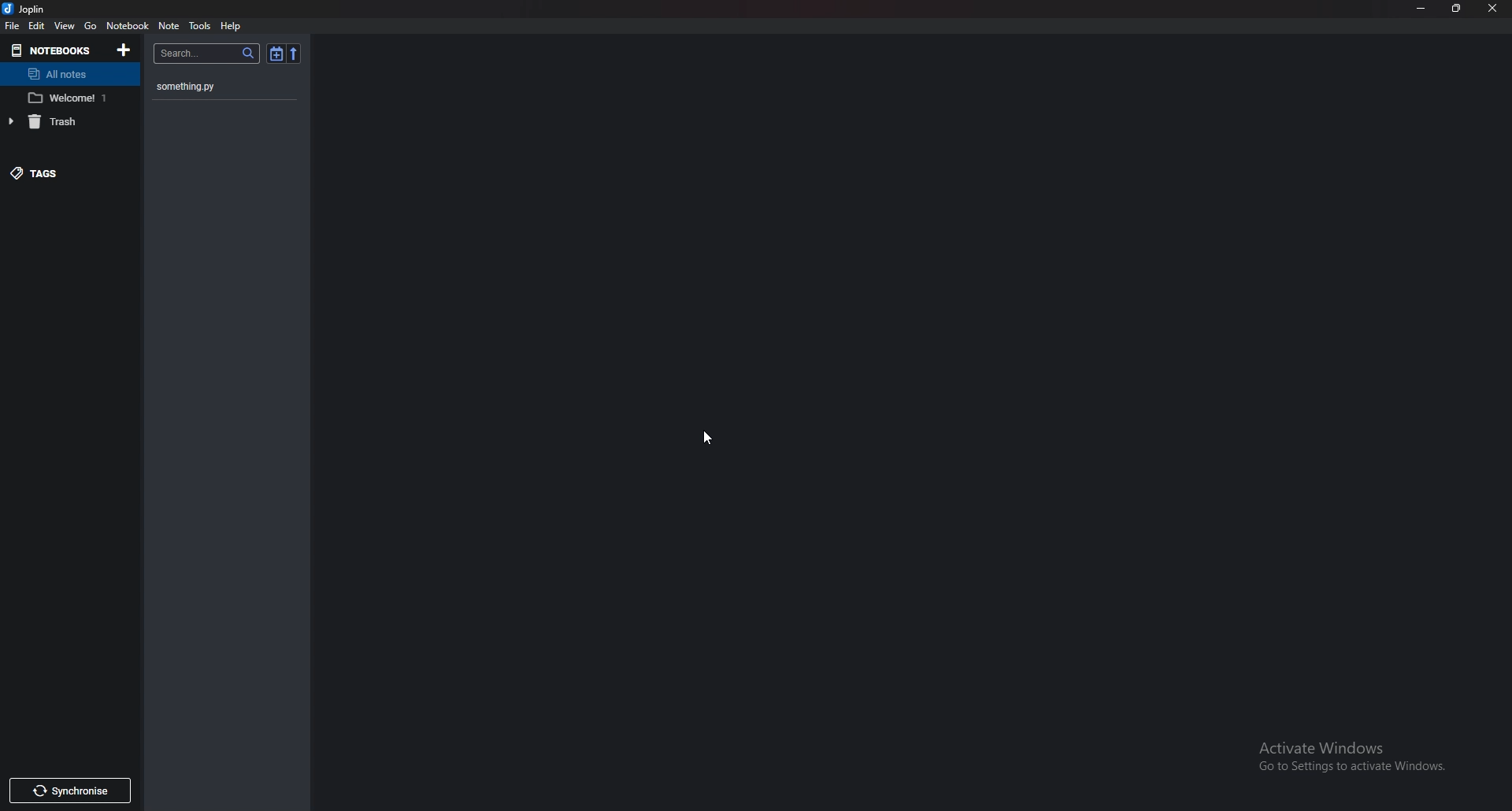 This screenshot has width=1512, height=811. Describe the element at coordinates (206, 54) in the screenshot. I see `search` at that location.